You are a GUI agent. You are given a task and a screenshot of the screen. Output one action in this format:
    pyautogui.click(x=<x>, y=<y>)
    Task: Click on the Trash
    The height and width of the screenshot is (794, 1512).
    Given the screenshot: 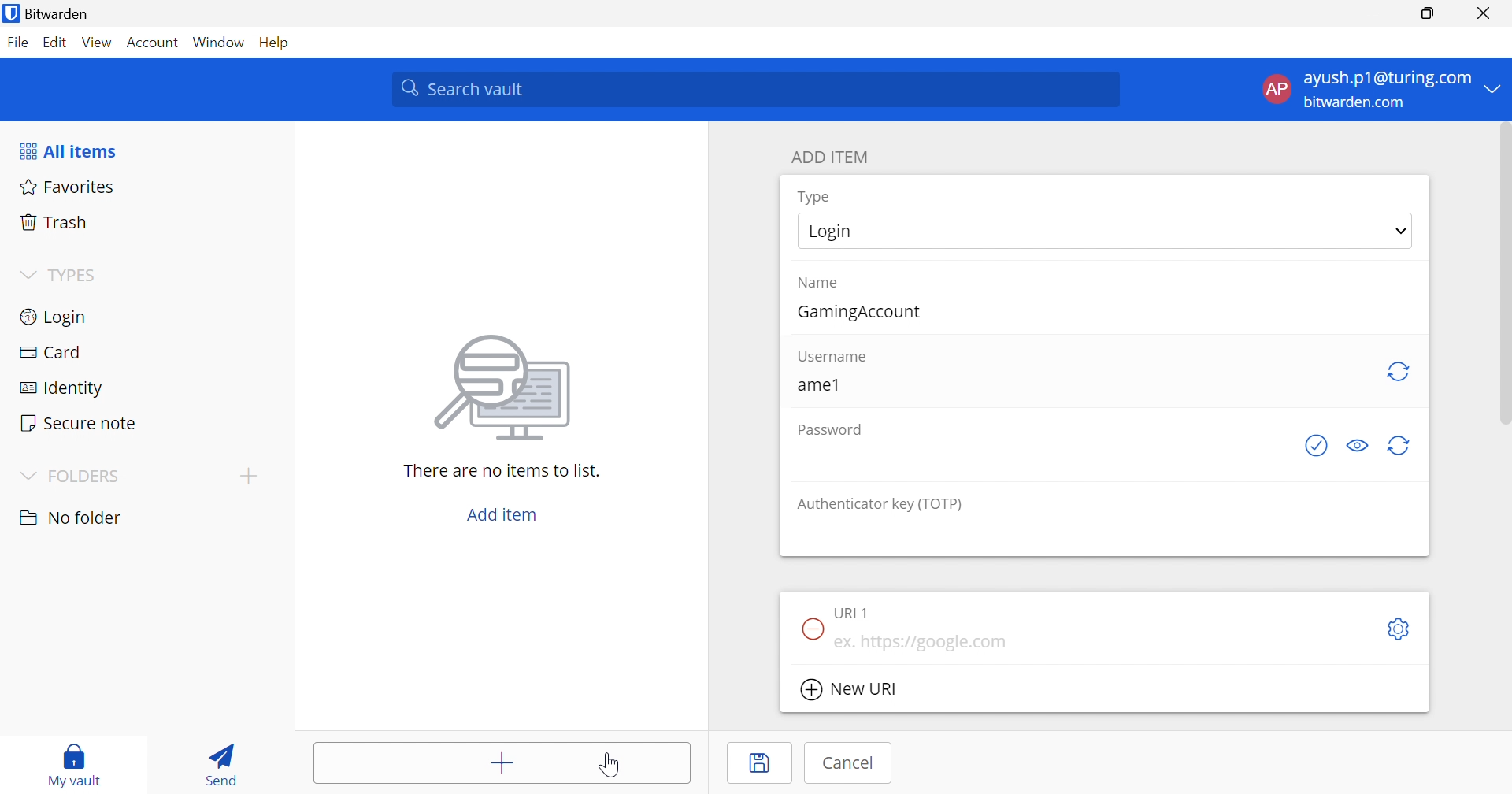 What is the action you would take?
    pyautogui.click(x=59, y=224)
    